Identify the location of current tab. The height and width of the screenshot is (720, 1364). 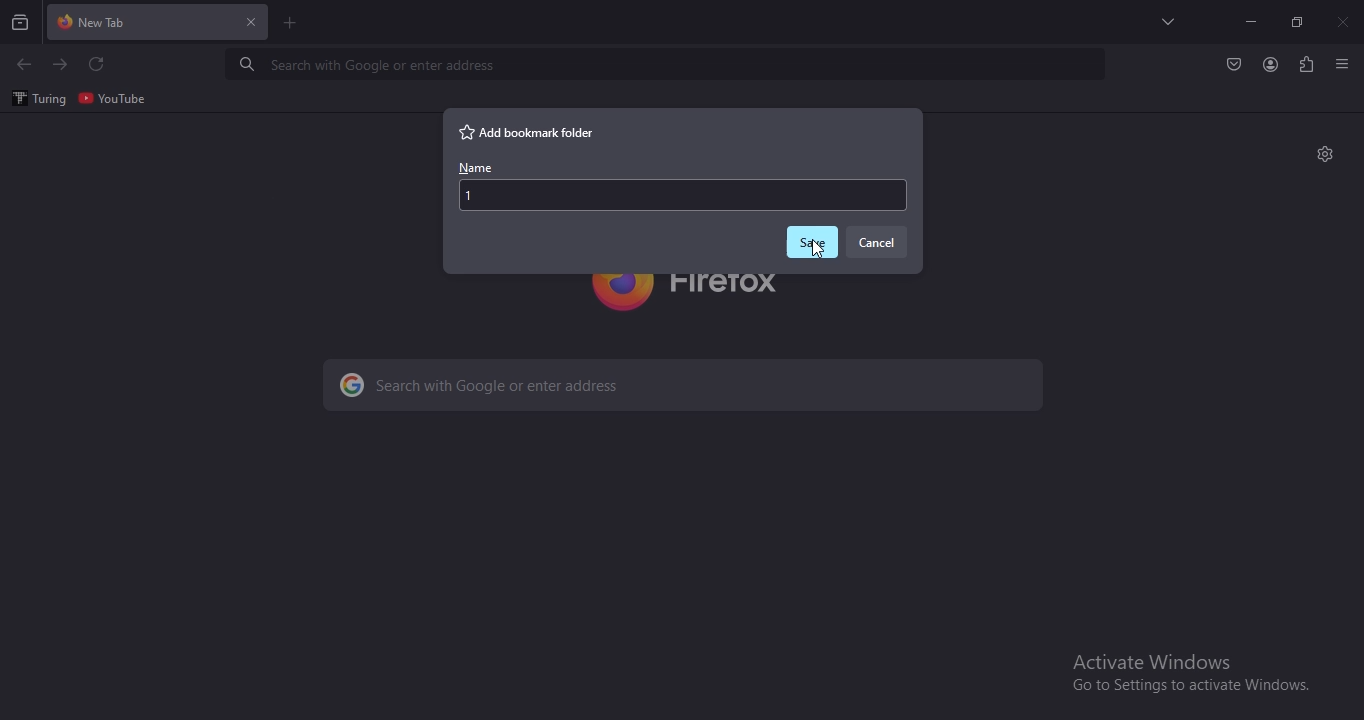
(159, 23).